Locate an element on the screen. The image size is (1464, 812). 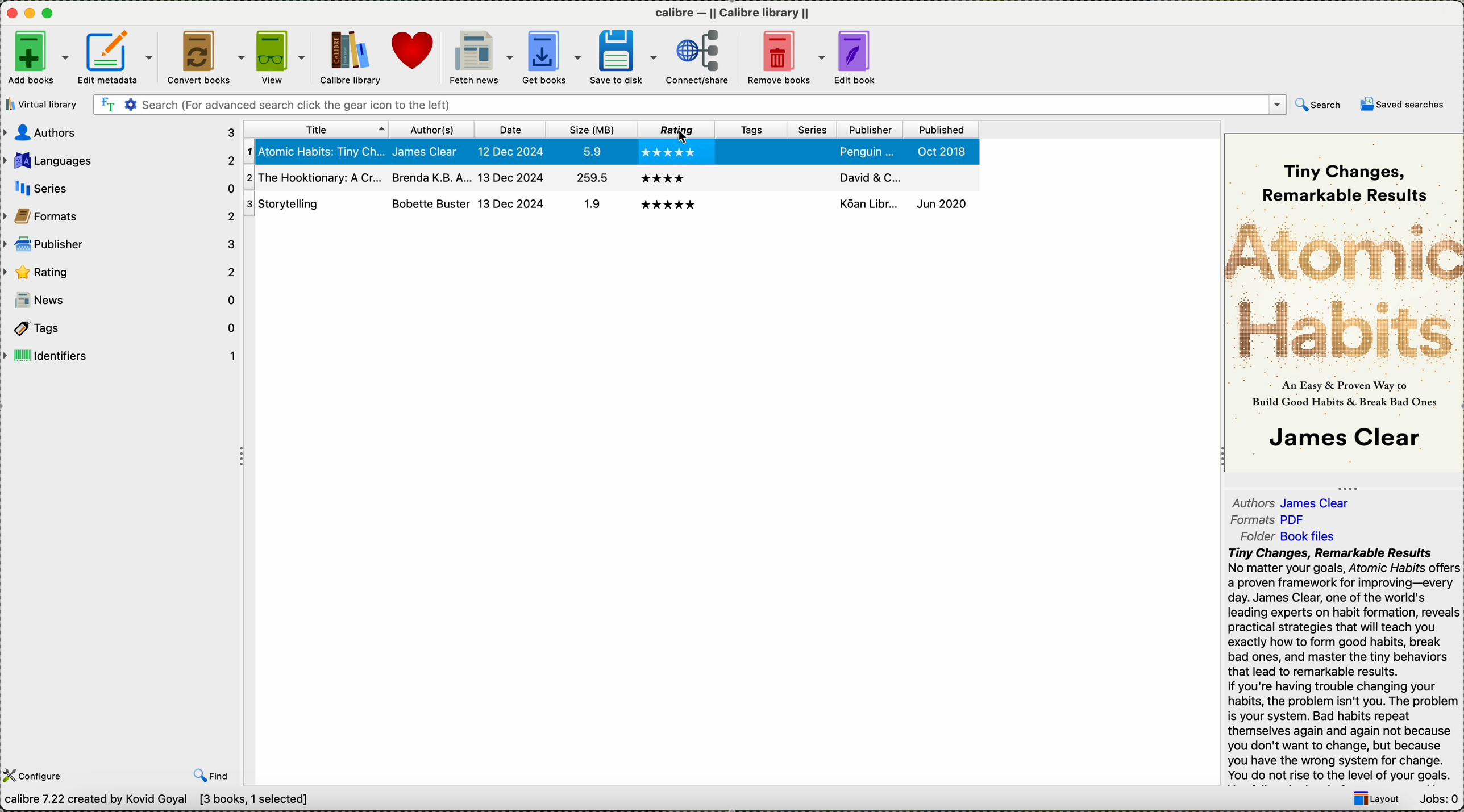
edit book is located at coordinates (858, 57).